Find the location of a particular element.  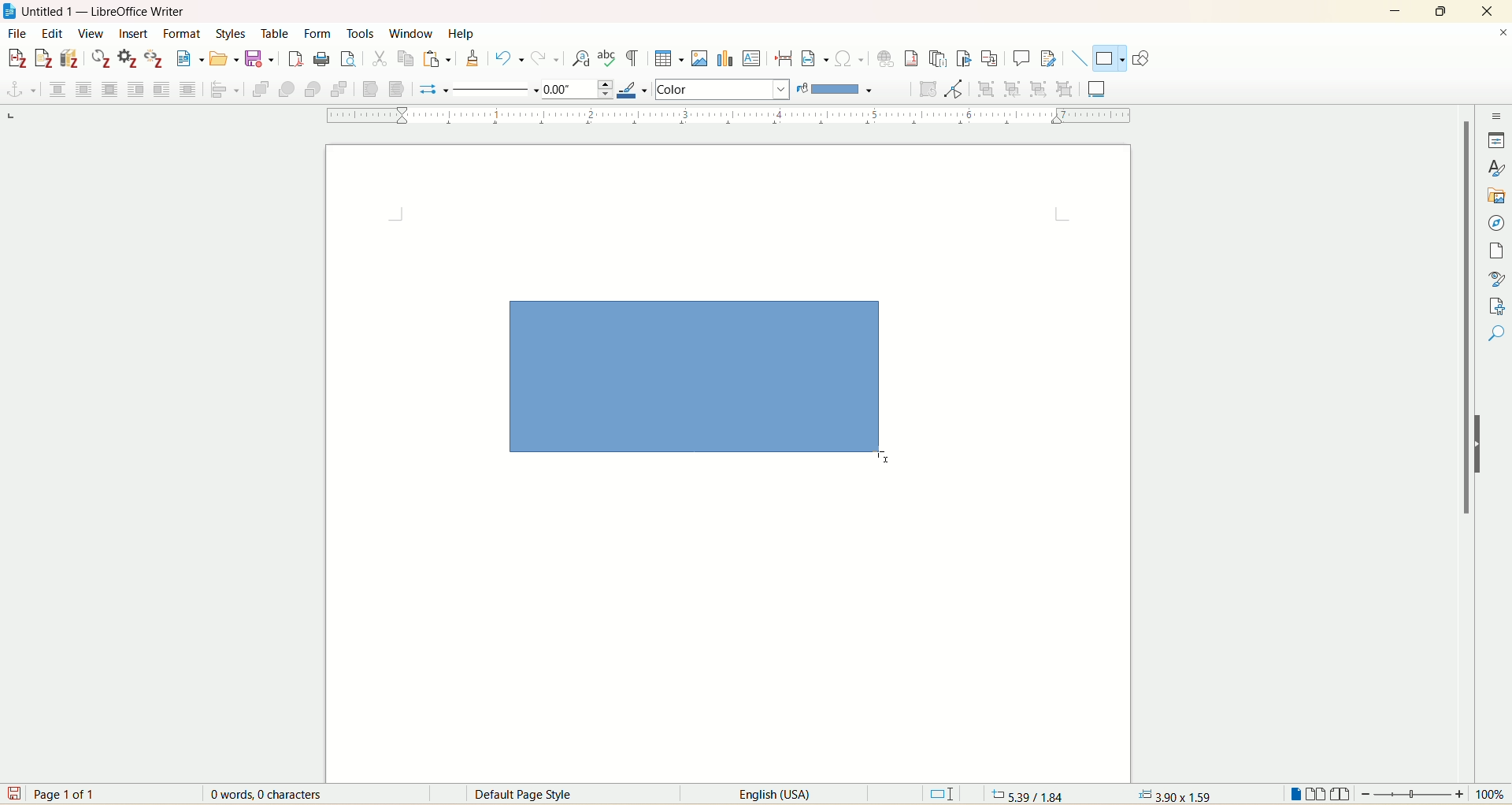

refresh is located at coordinates (102, 59).